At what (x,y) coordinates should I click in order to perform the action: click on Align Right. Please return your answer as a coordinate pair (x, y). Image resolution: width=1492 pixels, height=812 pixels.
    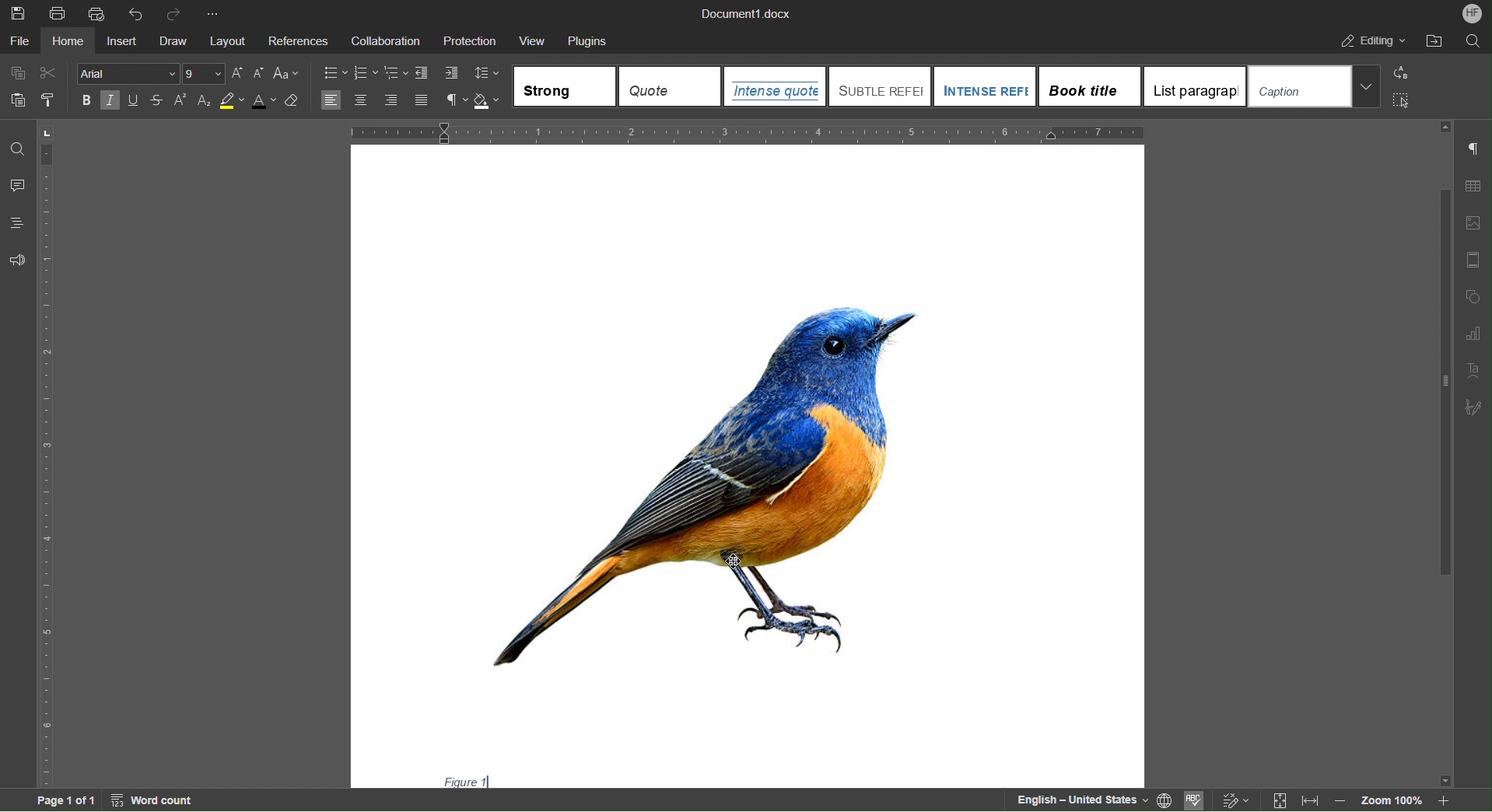
    Looking at the image, I should click on (392, 101).